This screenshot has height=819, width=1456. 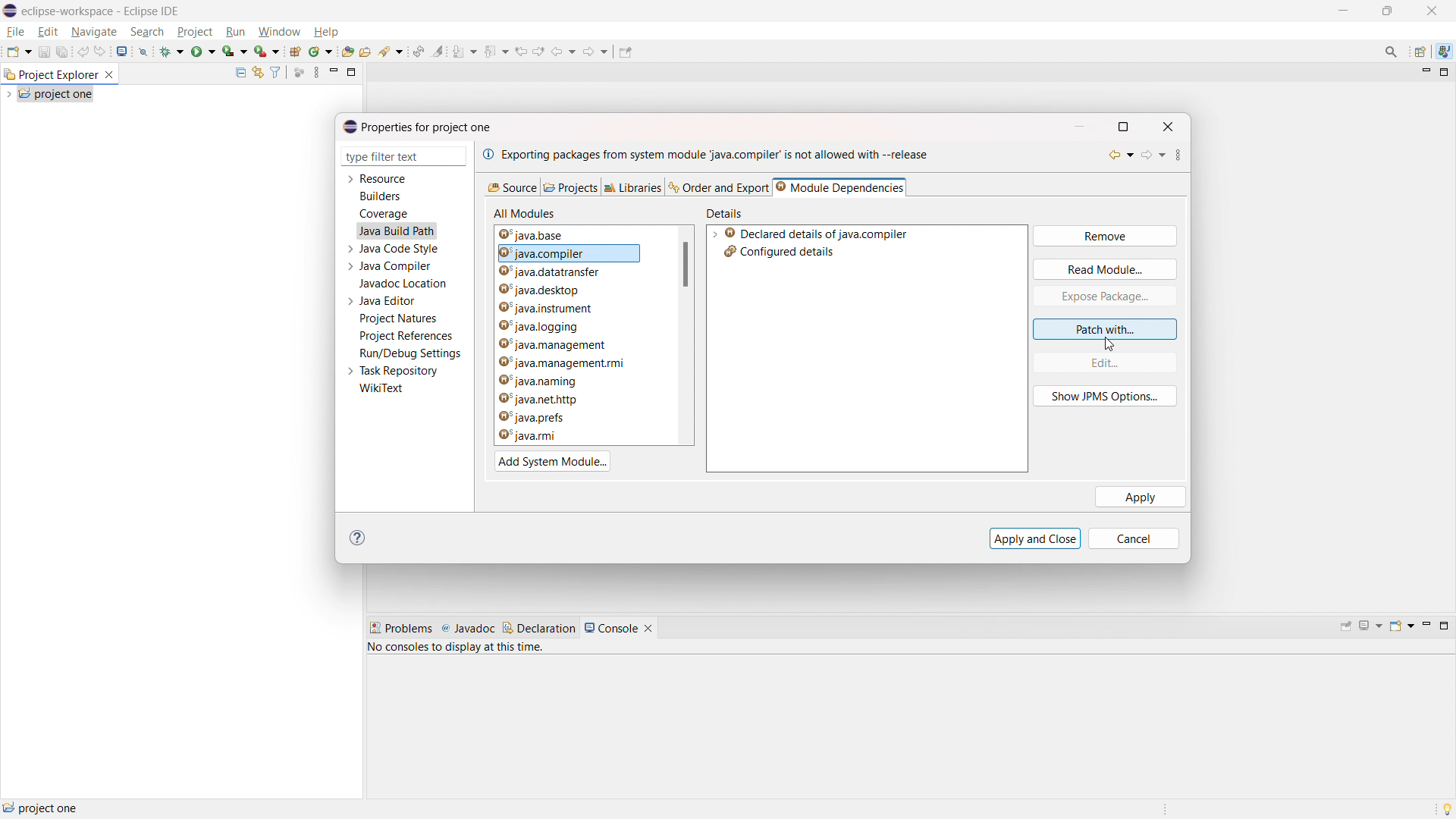 I want to click on toggle ant mark occurances, so click(x=438, y=51).